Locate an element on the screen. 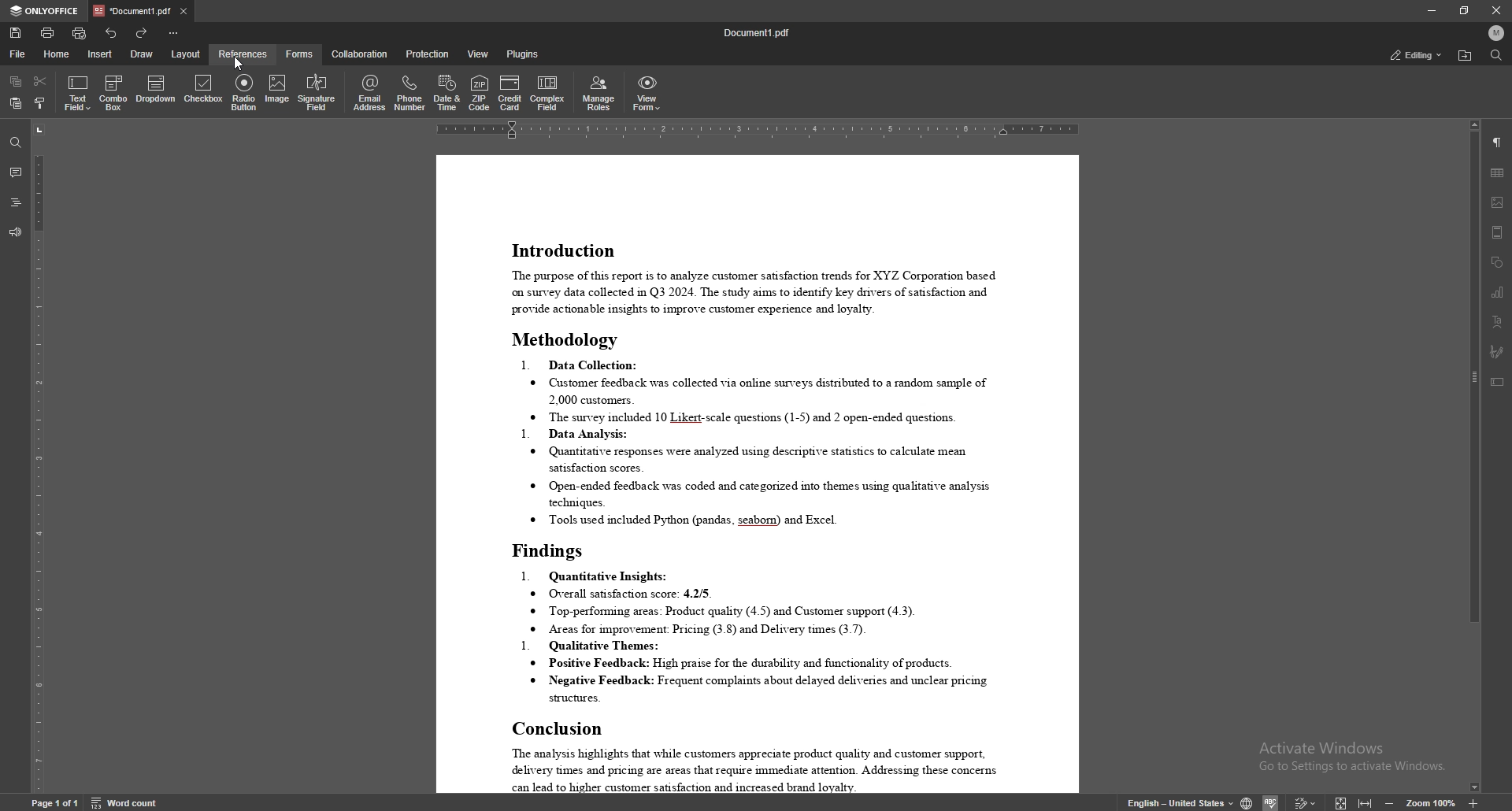  text art is located at coordinates (1497, 323).